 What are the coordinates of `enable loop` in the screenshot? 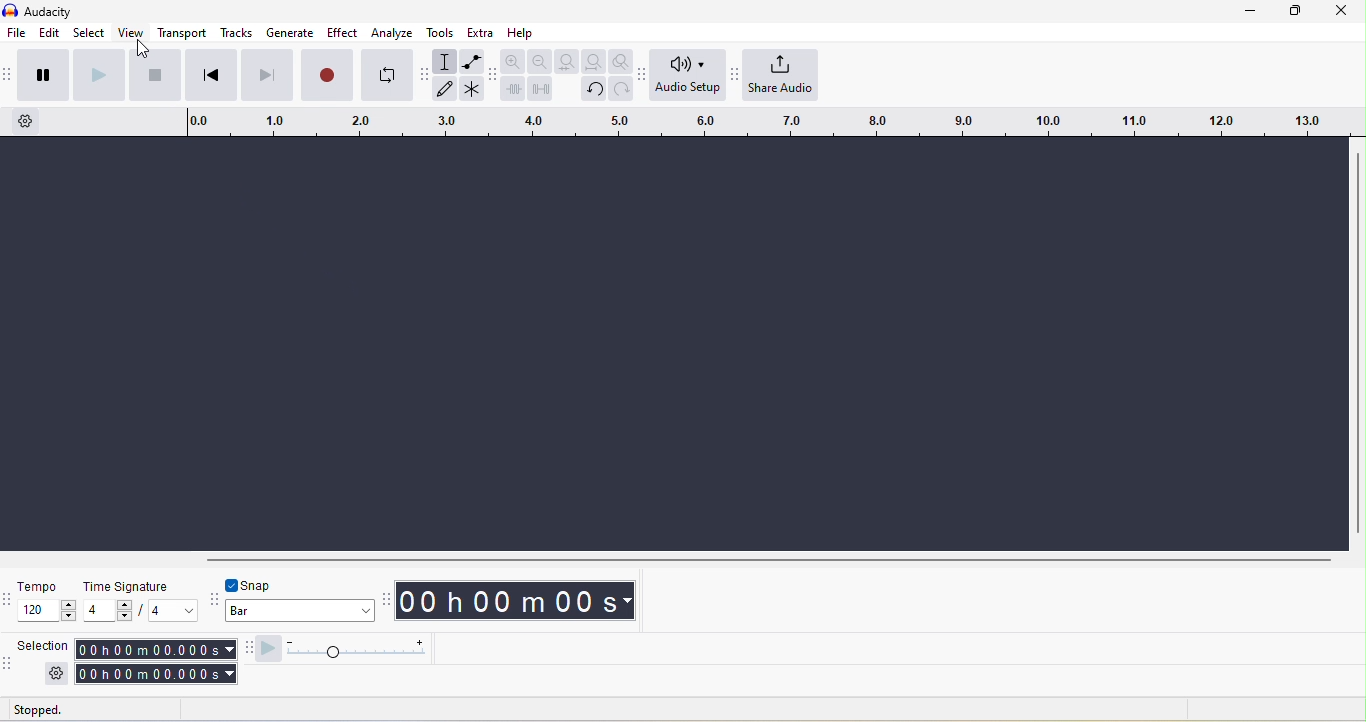 It's located at (387, 76).